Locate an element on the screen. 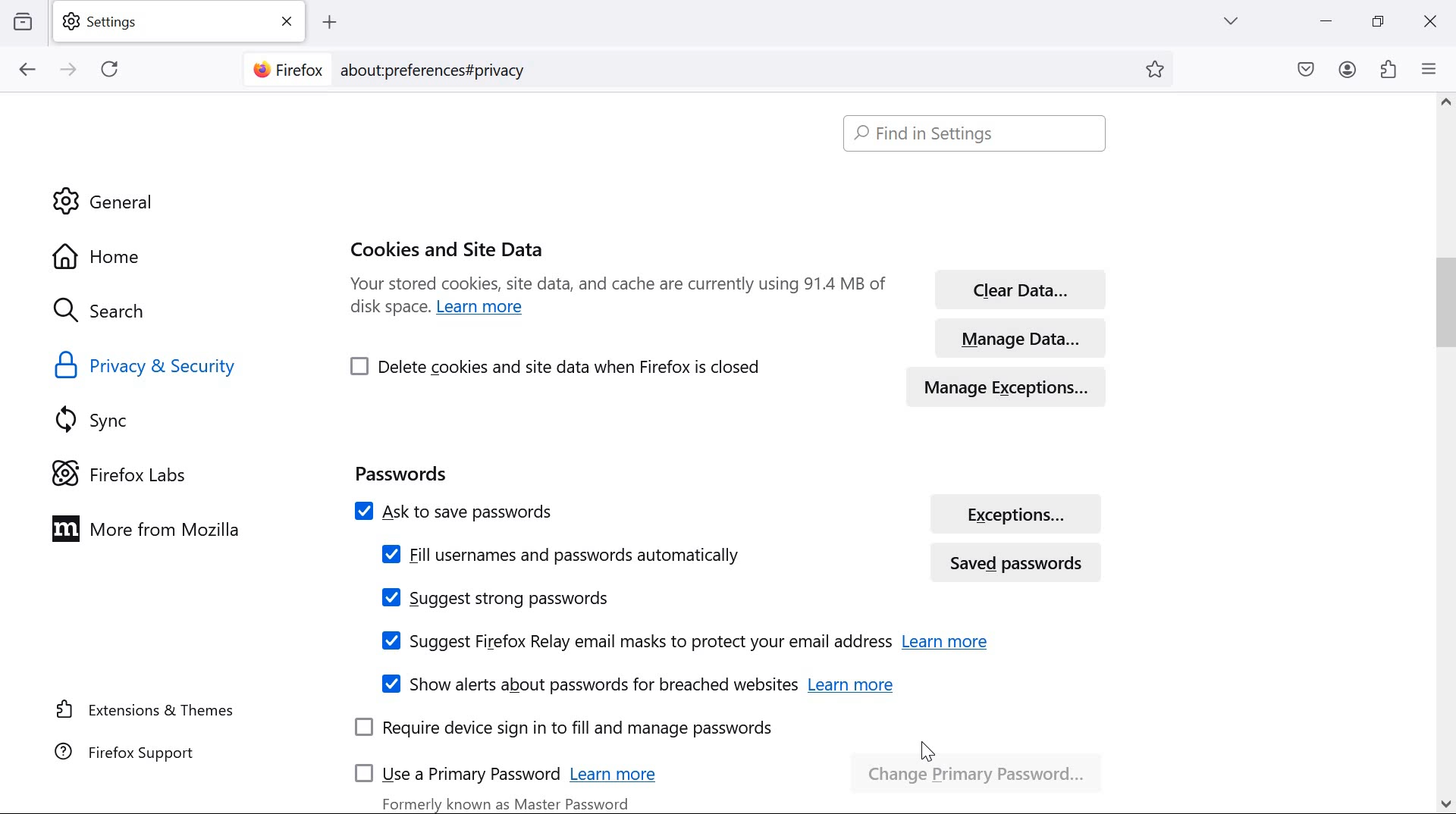 The height and width of the screenshot is (814, 1456). Manage Exceptions...  is located at coordinates (1021, 384).